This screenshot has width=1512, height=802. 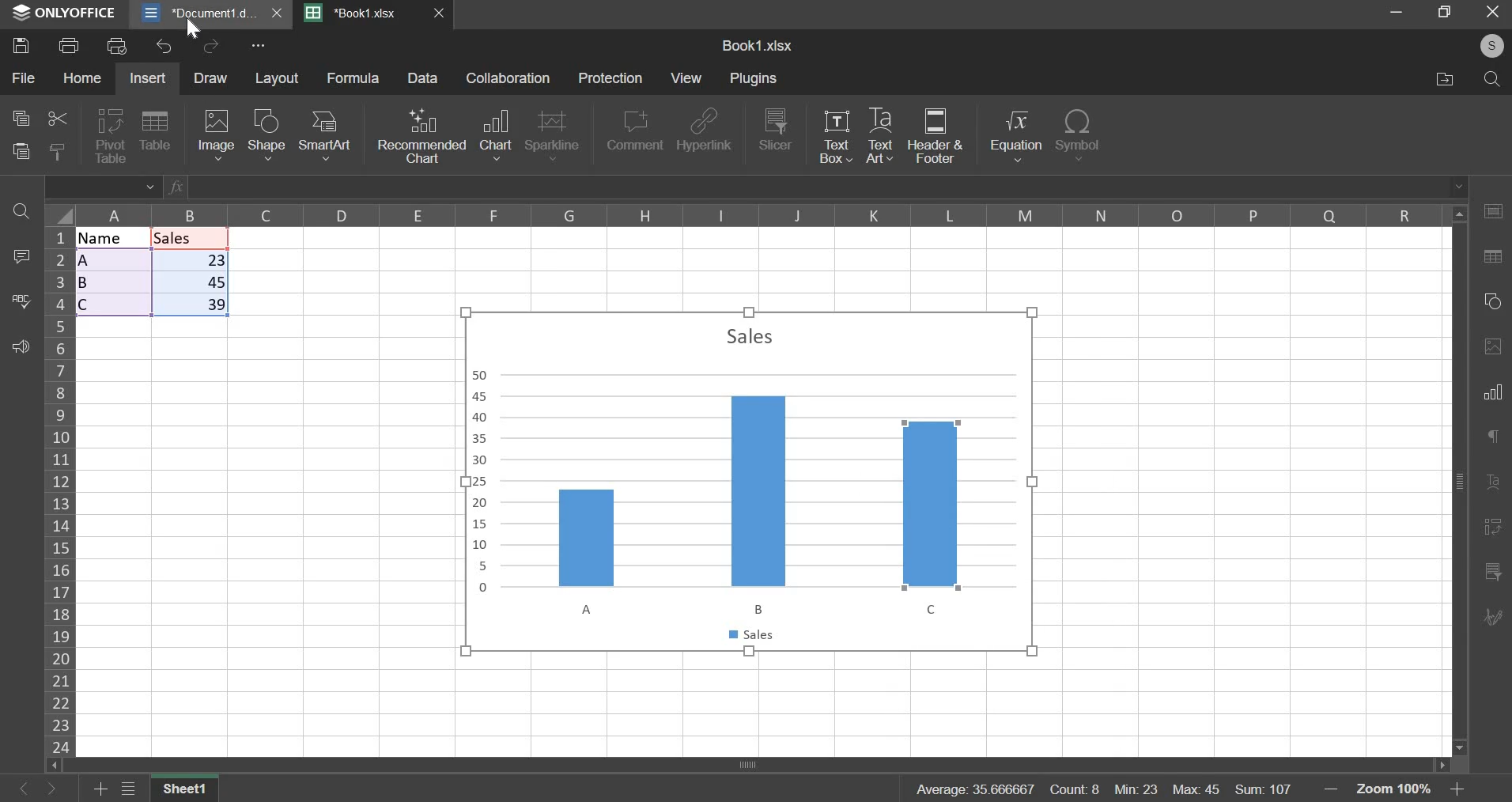 I want to click on save, so click(x=21, y=44).